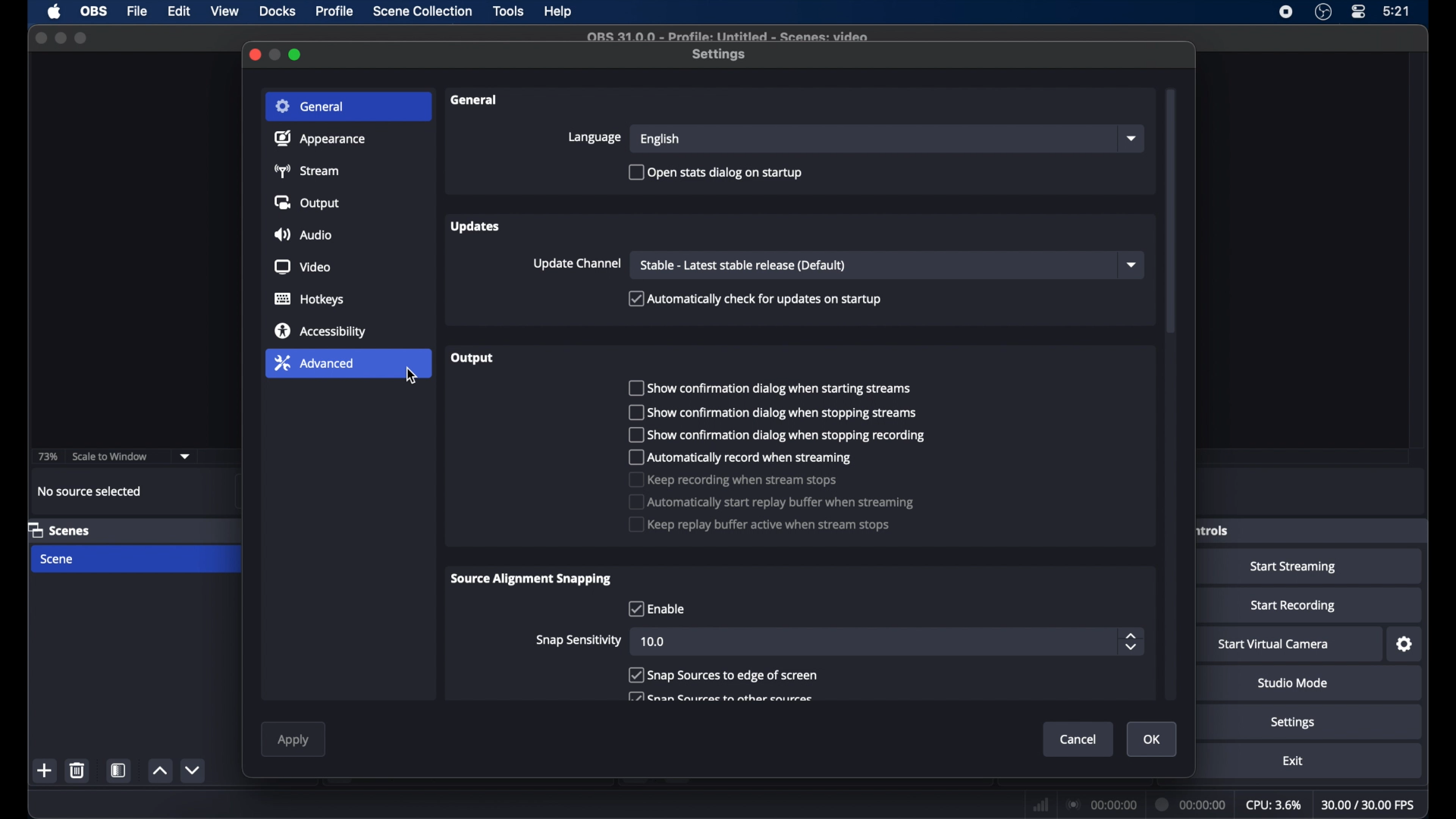 The height and width of the screenshot is (819, 1456). Describe the element at coordinates (531, 579) in the screenshot. I see `source alignment snapping` at that location.